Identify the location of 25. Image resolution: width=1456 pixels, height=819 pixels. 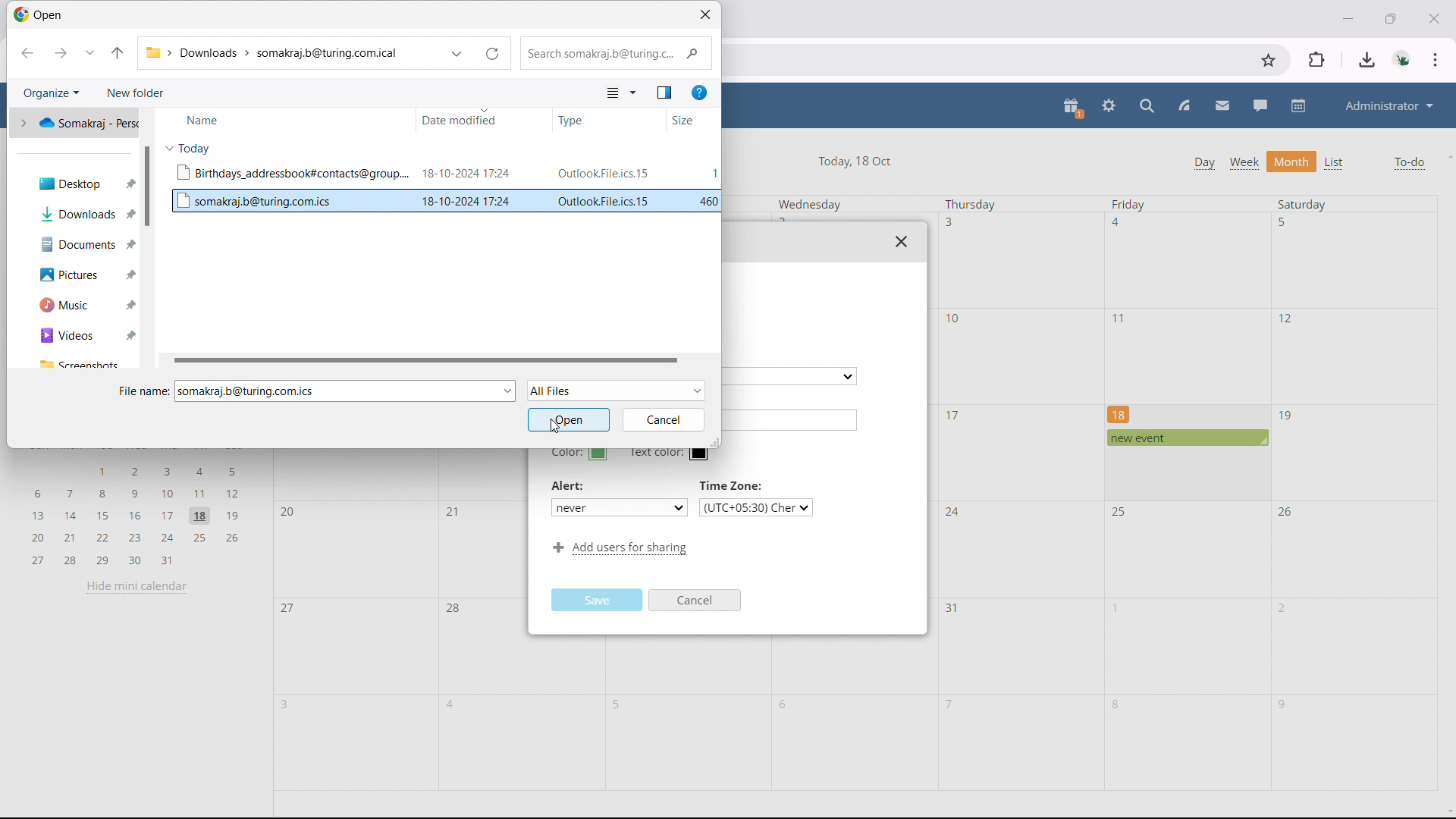
(1122, 512).